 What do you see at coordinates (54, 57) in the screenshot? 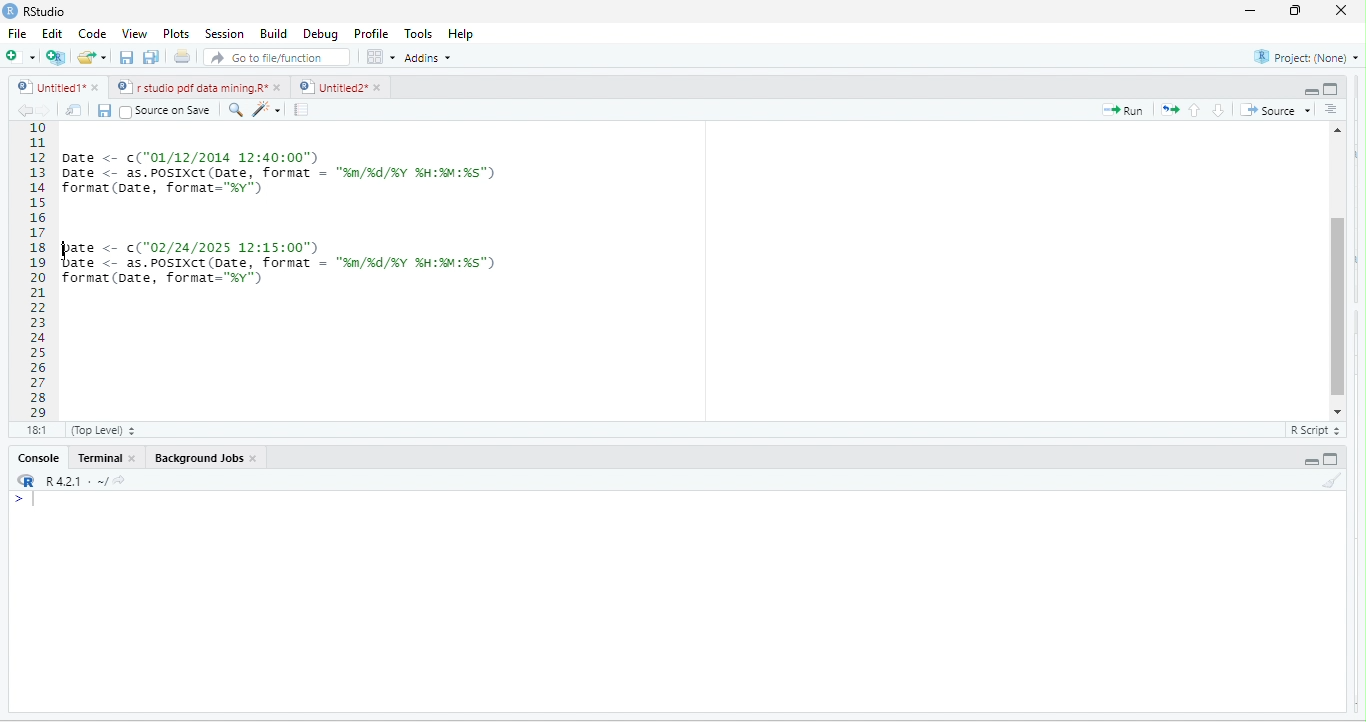
I see `create a project` at bounding box center [54, 57].